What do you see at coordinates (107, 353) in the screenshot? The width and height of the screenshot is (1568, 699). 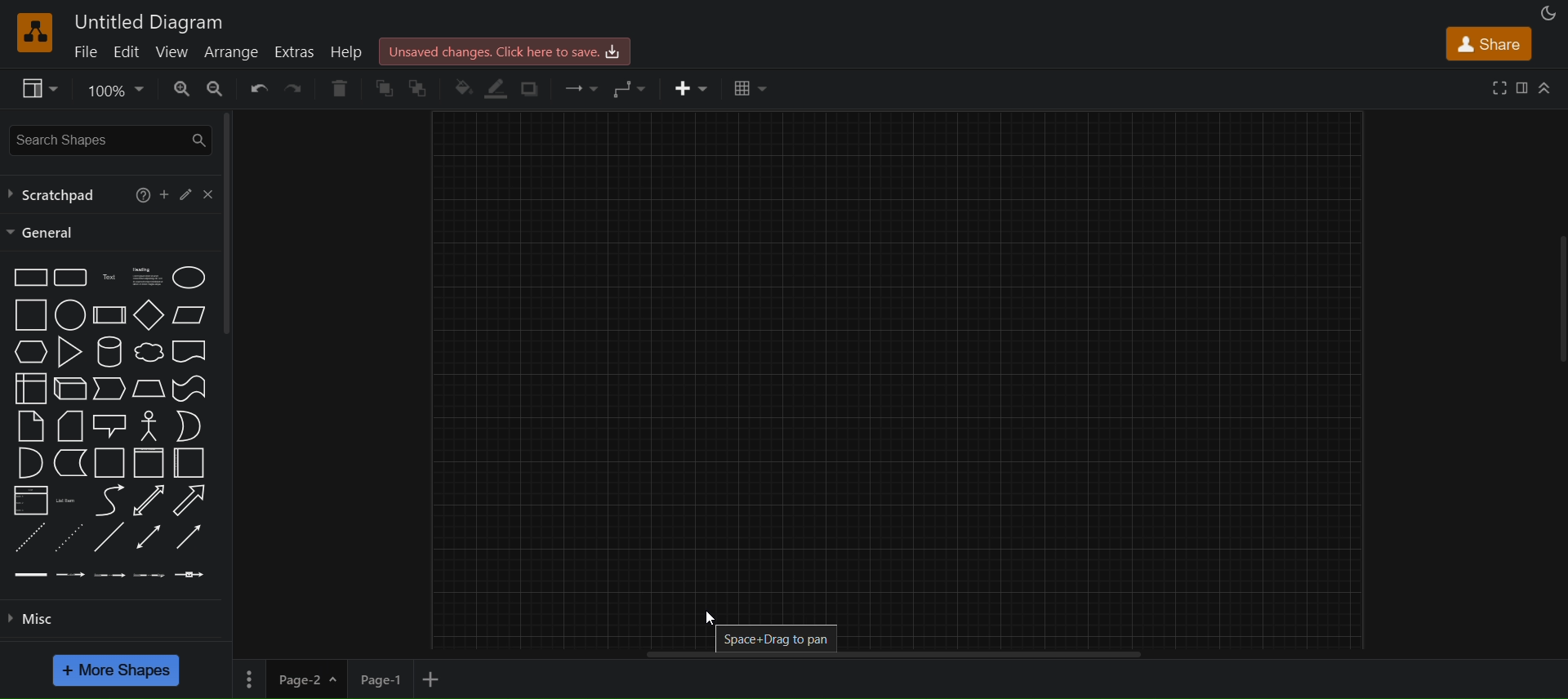 I see `cylinder` at bounding box center [107, 353].